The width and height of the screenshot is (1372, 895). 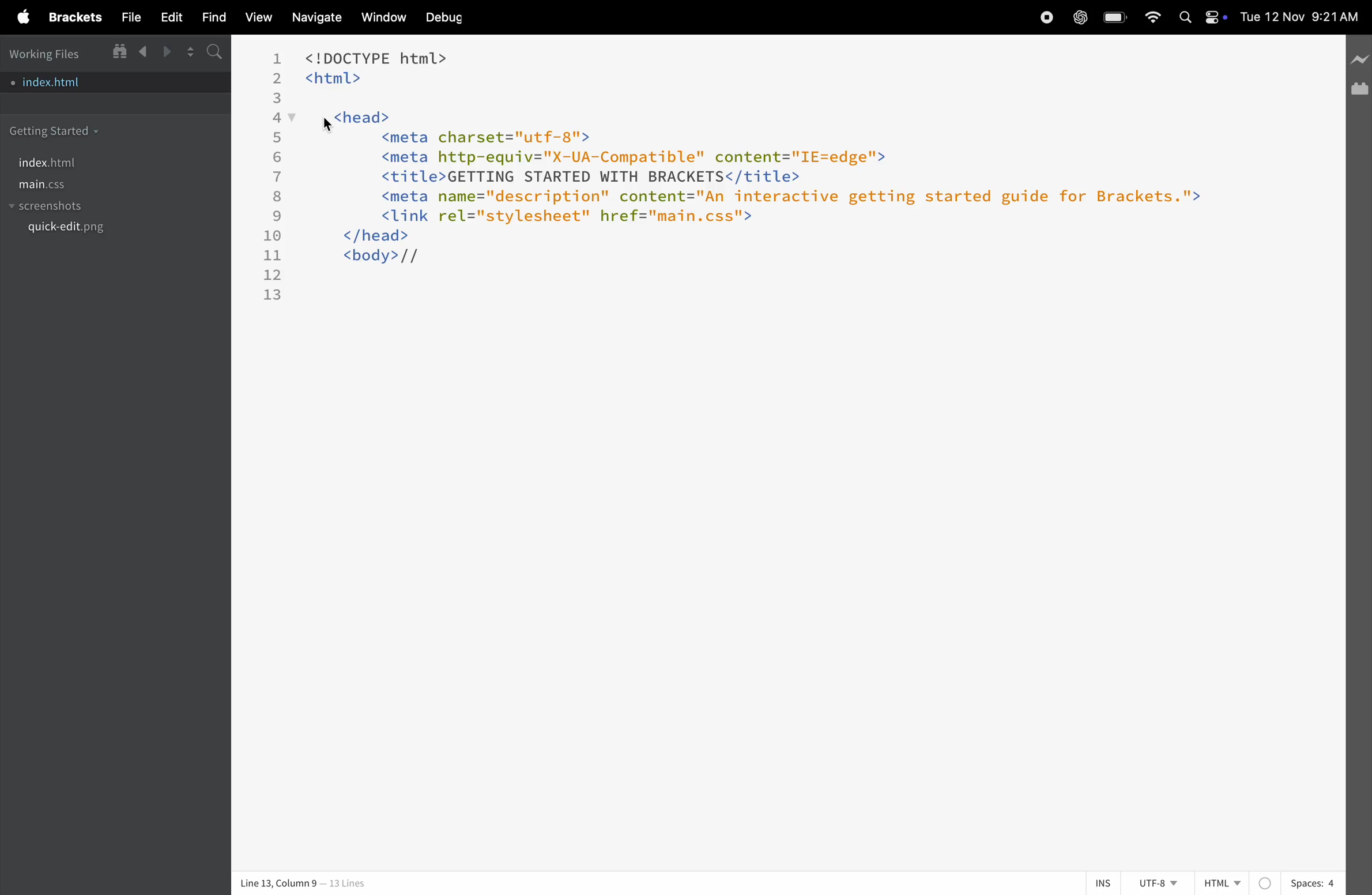 I want to click on line and column no, so click(x=301, y=883).